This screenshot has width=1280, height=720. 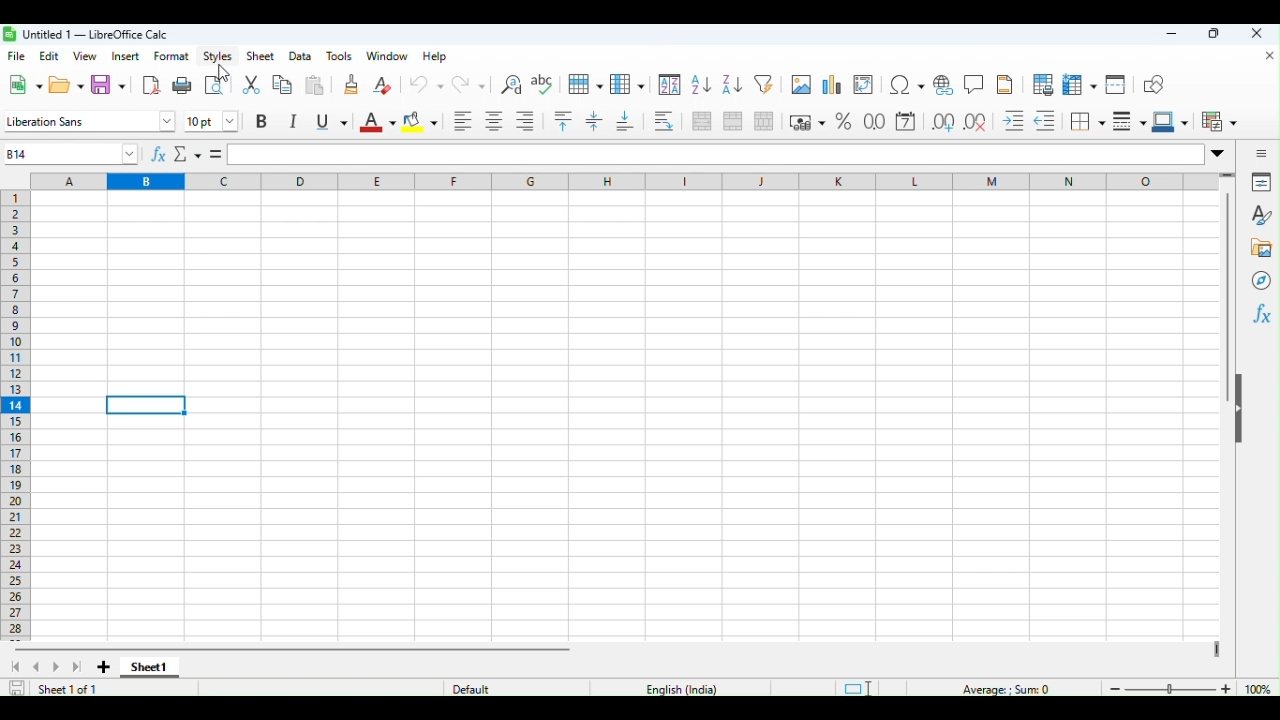 I want to click on paste, so click(x=315, y=85).